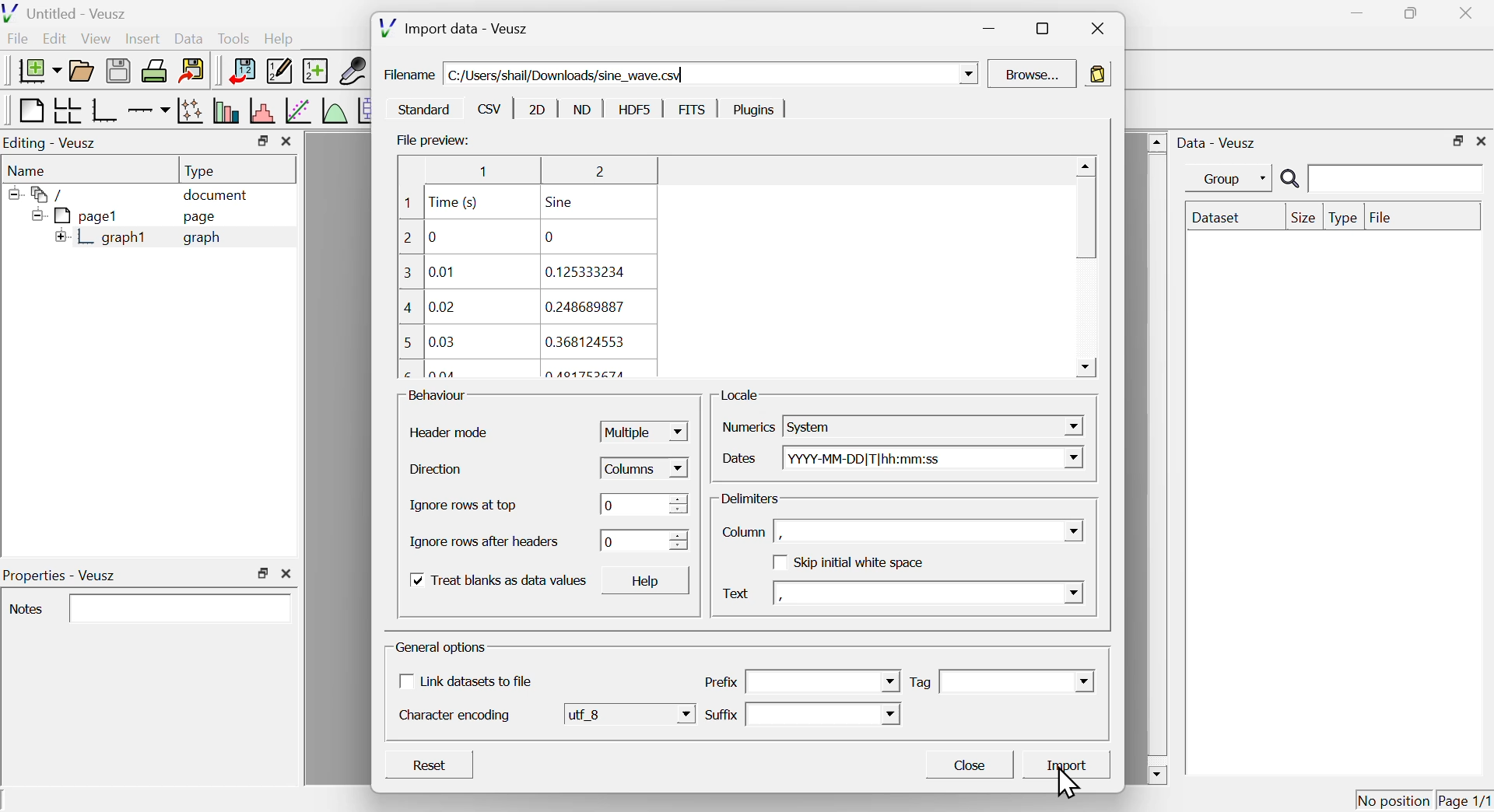 Image resolution: width=1494 pixels, height=812 pixels. I want to click on Insert, so click(141, 37).